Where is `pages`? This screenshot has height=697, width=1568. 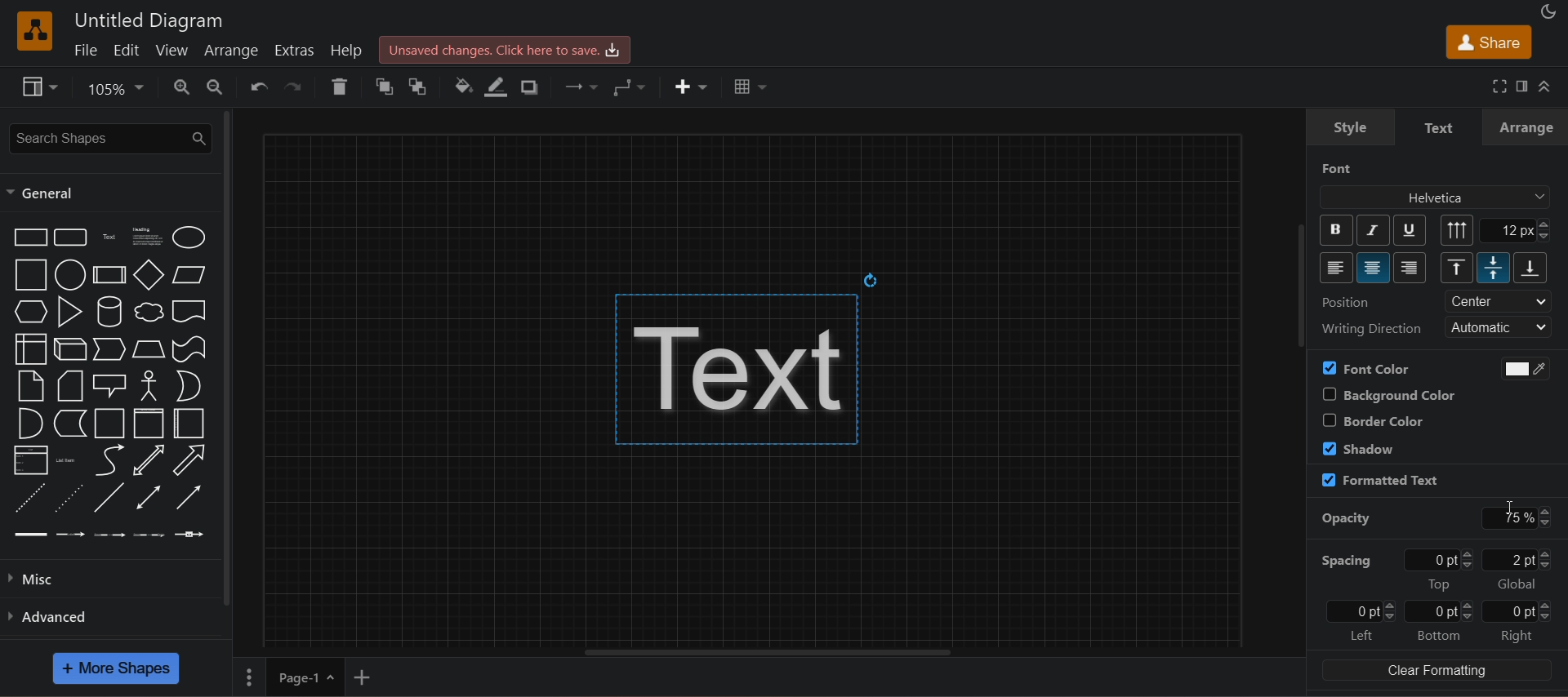
pages is located at coordinates (247, 676).